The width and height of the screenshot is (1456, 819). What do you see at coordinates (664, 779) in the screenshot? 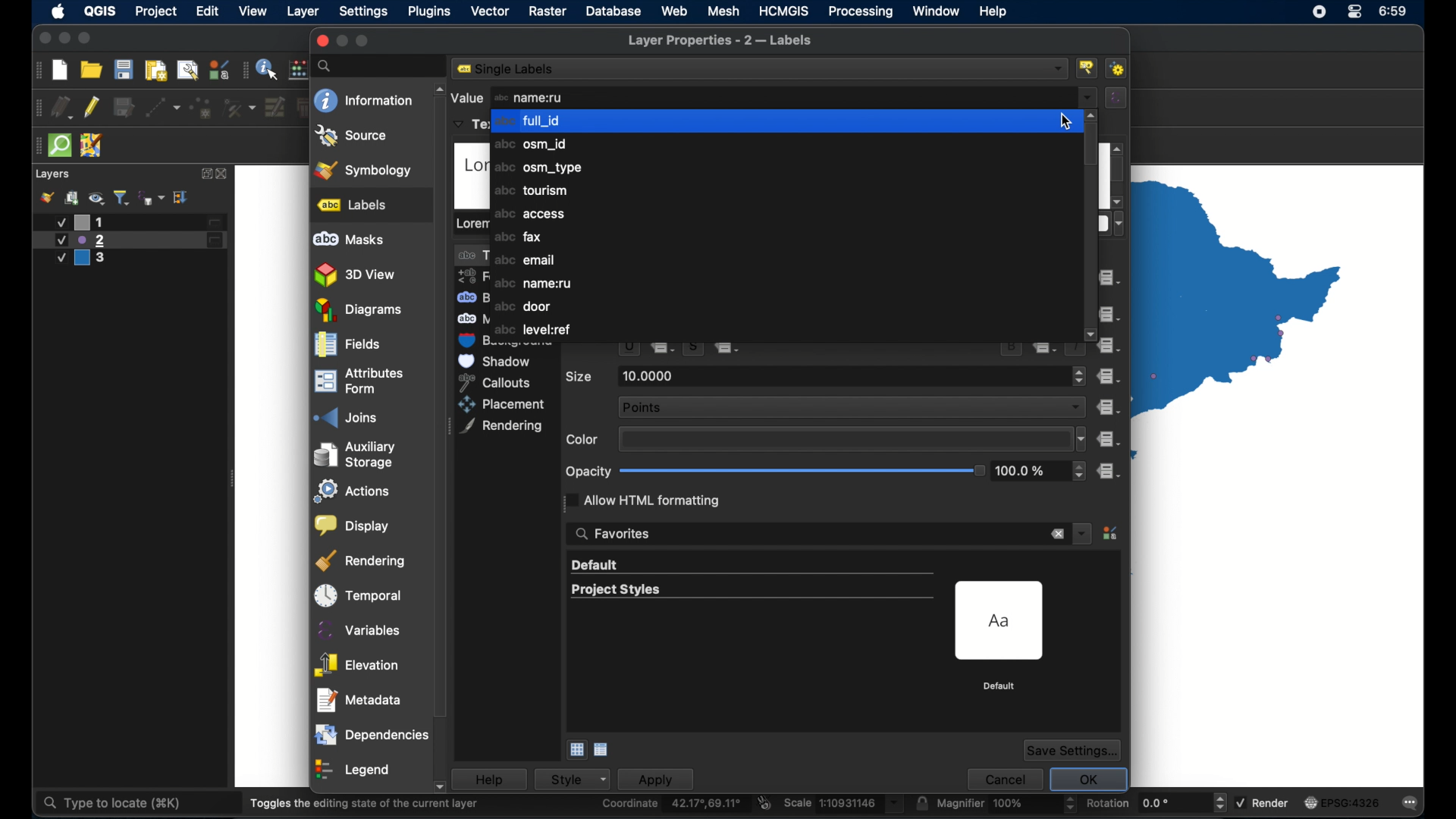
I see `apply` at bounding box center [664, 779].